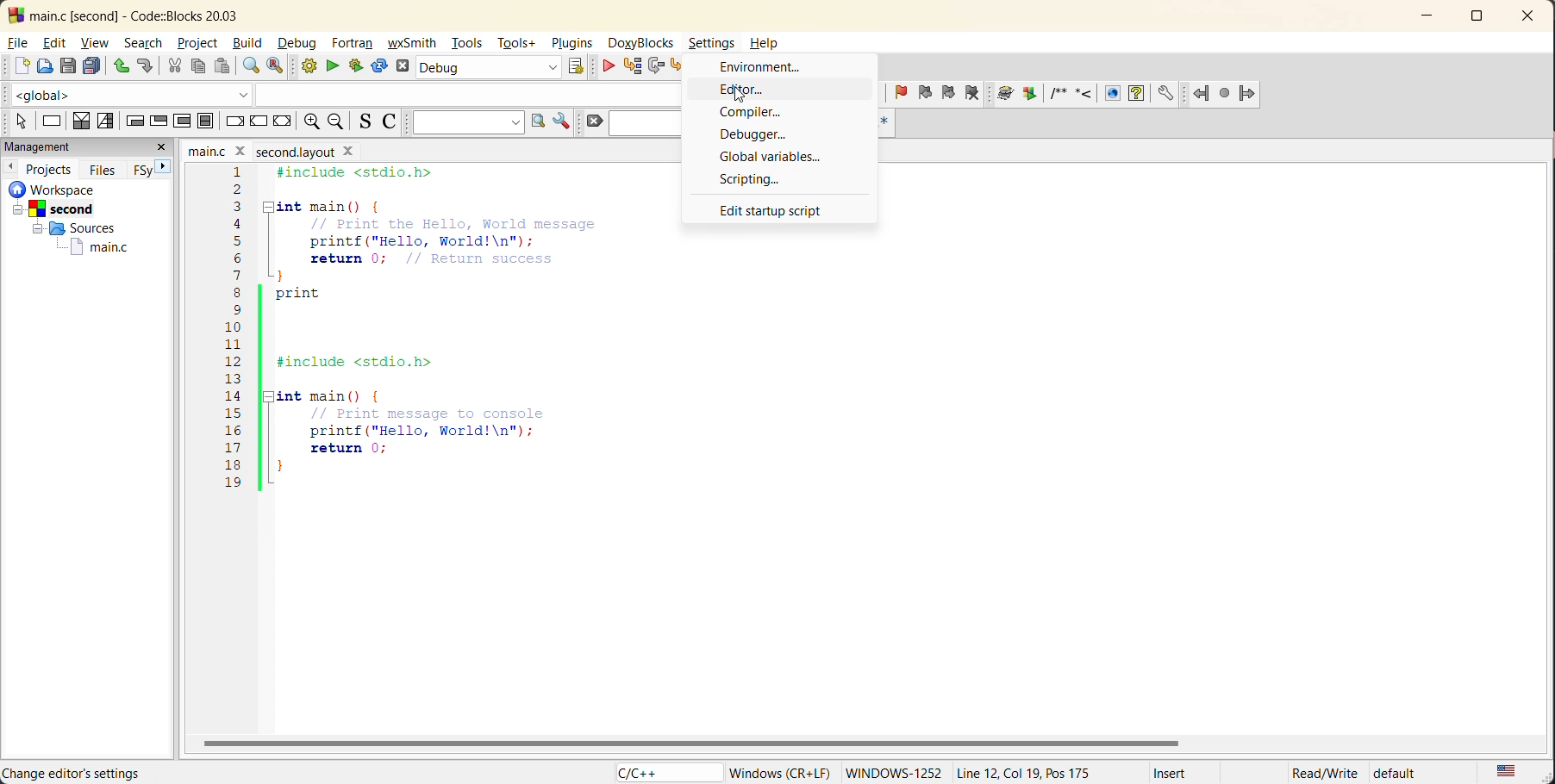 The height and width of the screenshot is (784, 1555). Describe the element at coordinates (356, 65) in the screenshot. I see `build and run` at that location.